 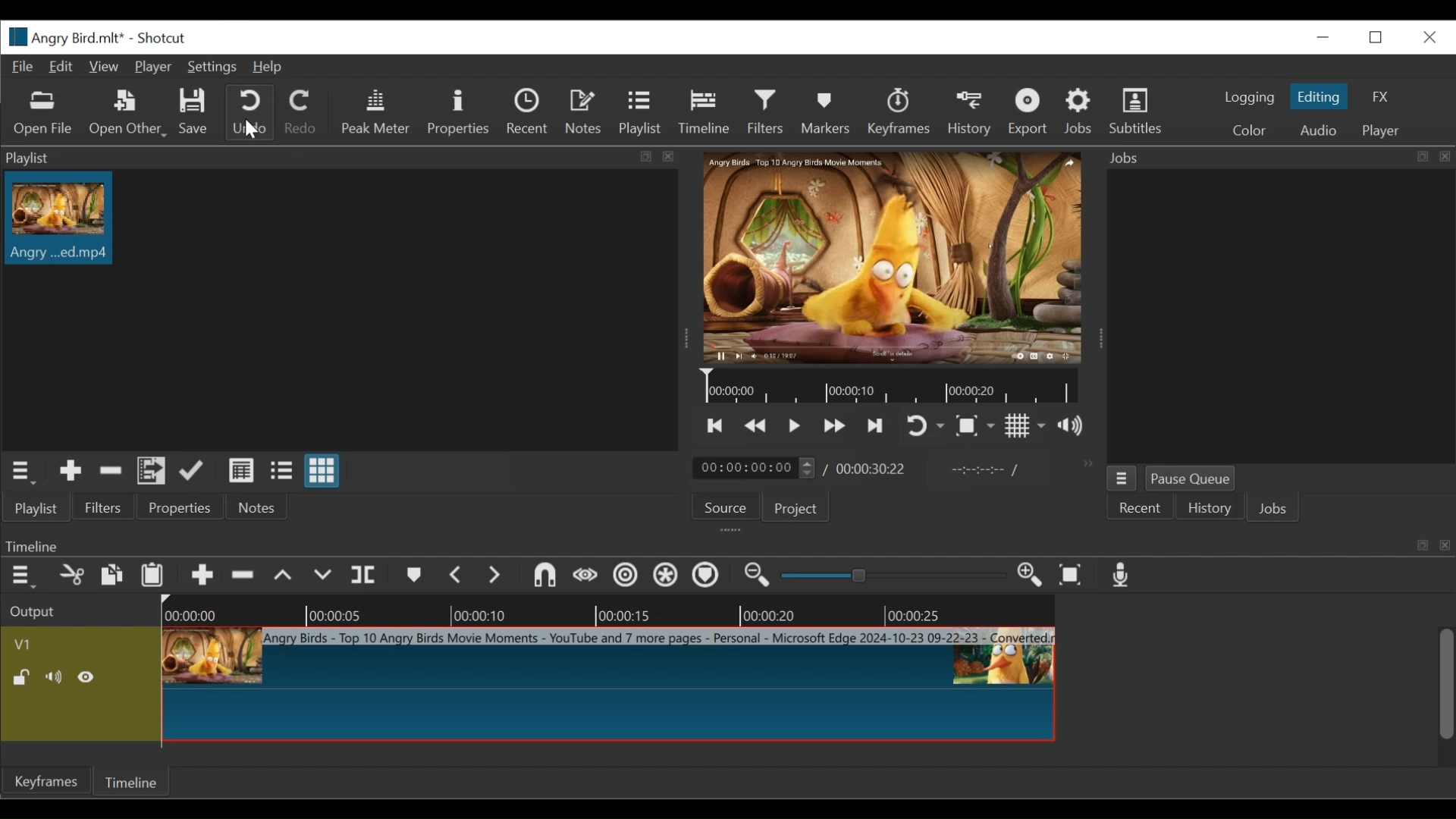 I want to click on Open Other File, so click(x=125, y=113).